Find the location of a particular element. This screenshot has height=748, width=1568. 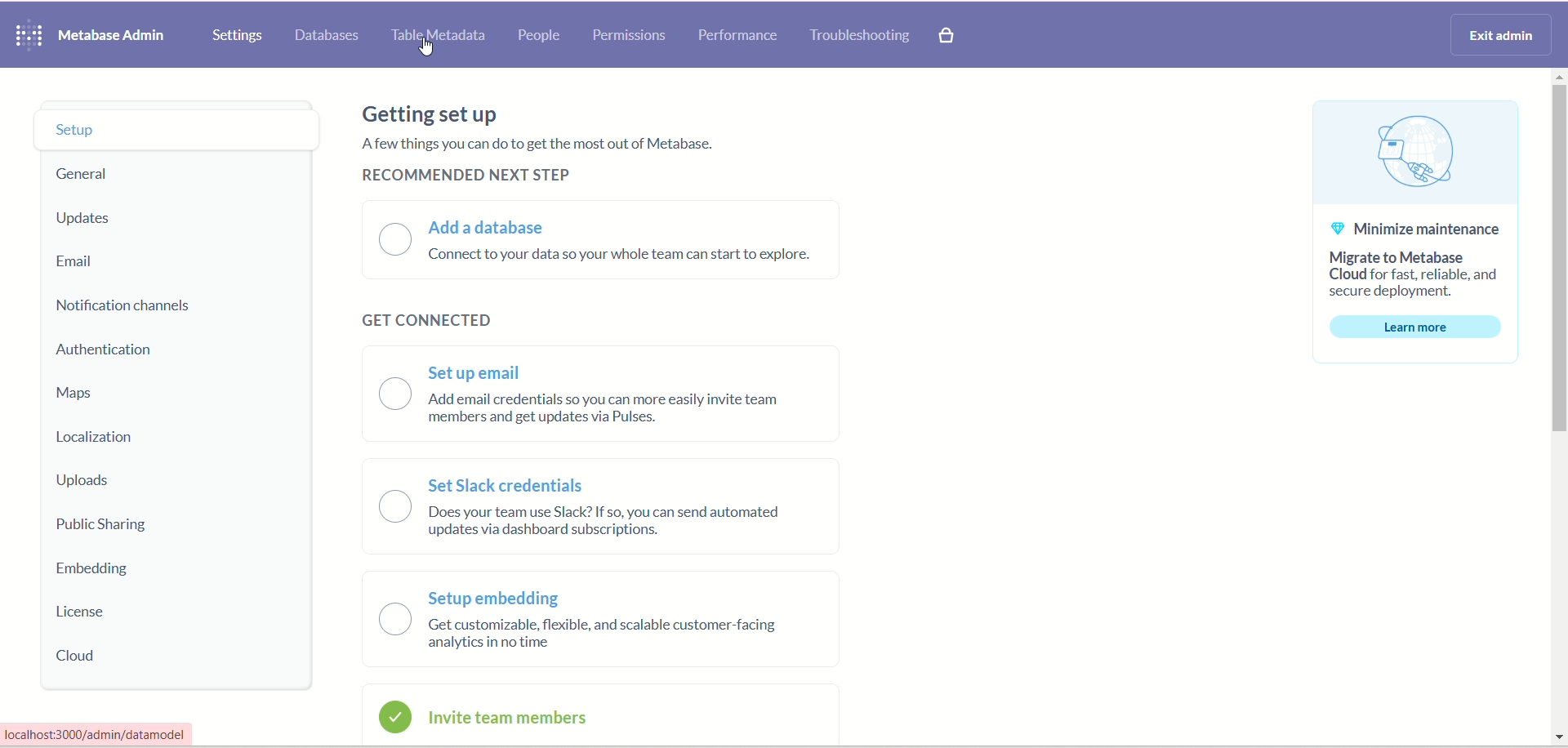

people is located at coordinates (542, 35).